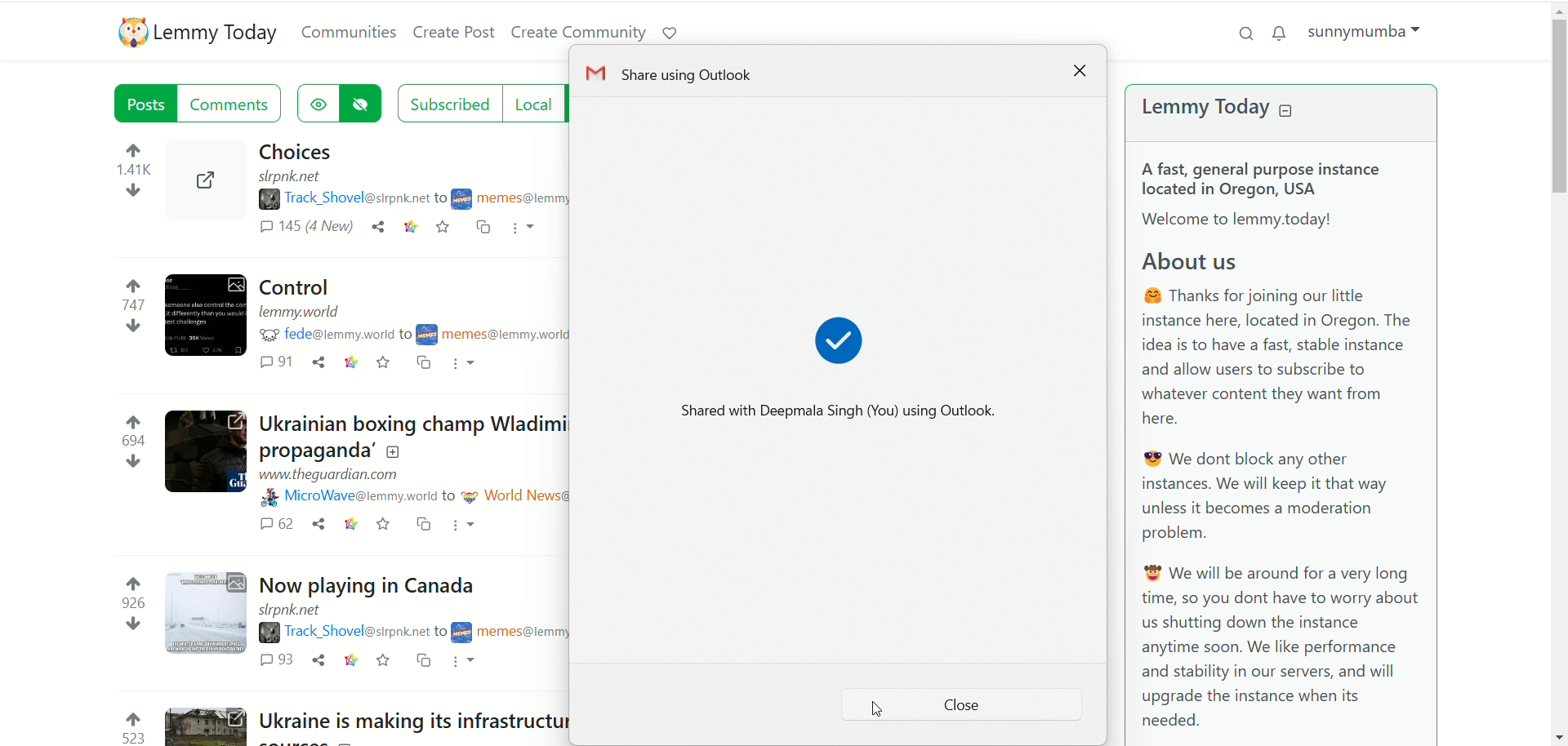 Image resolution: width=1568 pixels, height=746 pixels. Describe the element at coordinates (414, 229) in the screenshot. I see `link` at that location.